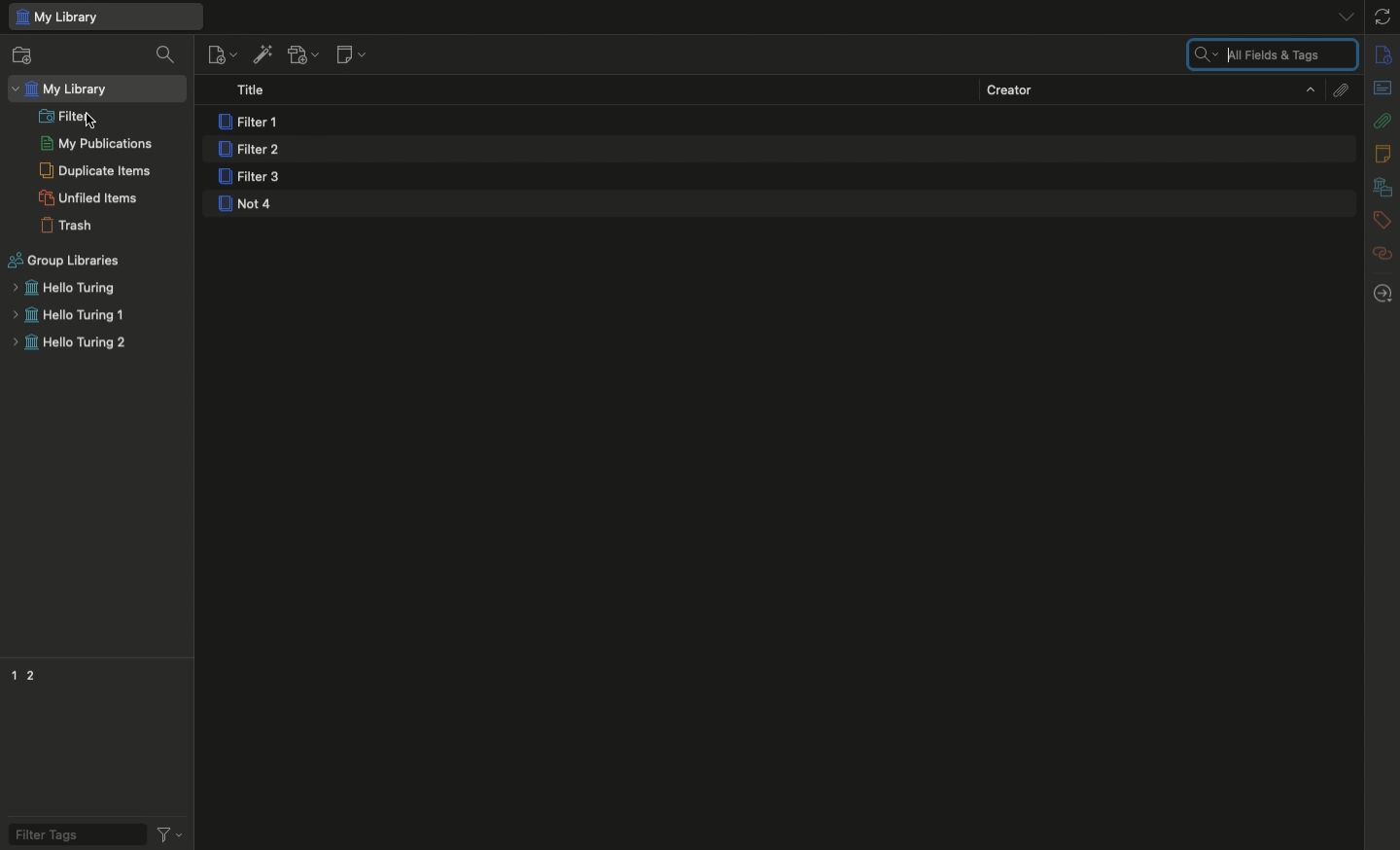 The width and height of the screenshot is (1400, 850). Describe the element at coordinates (62, 288) in the screenshot. I see `Hello turing` at that location.